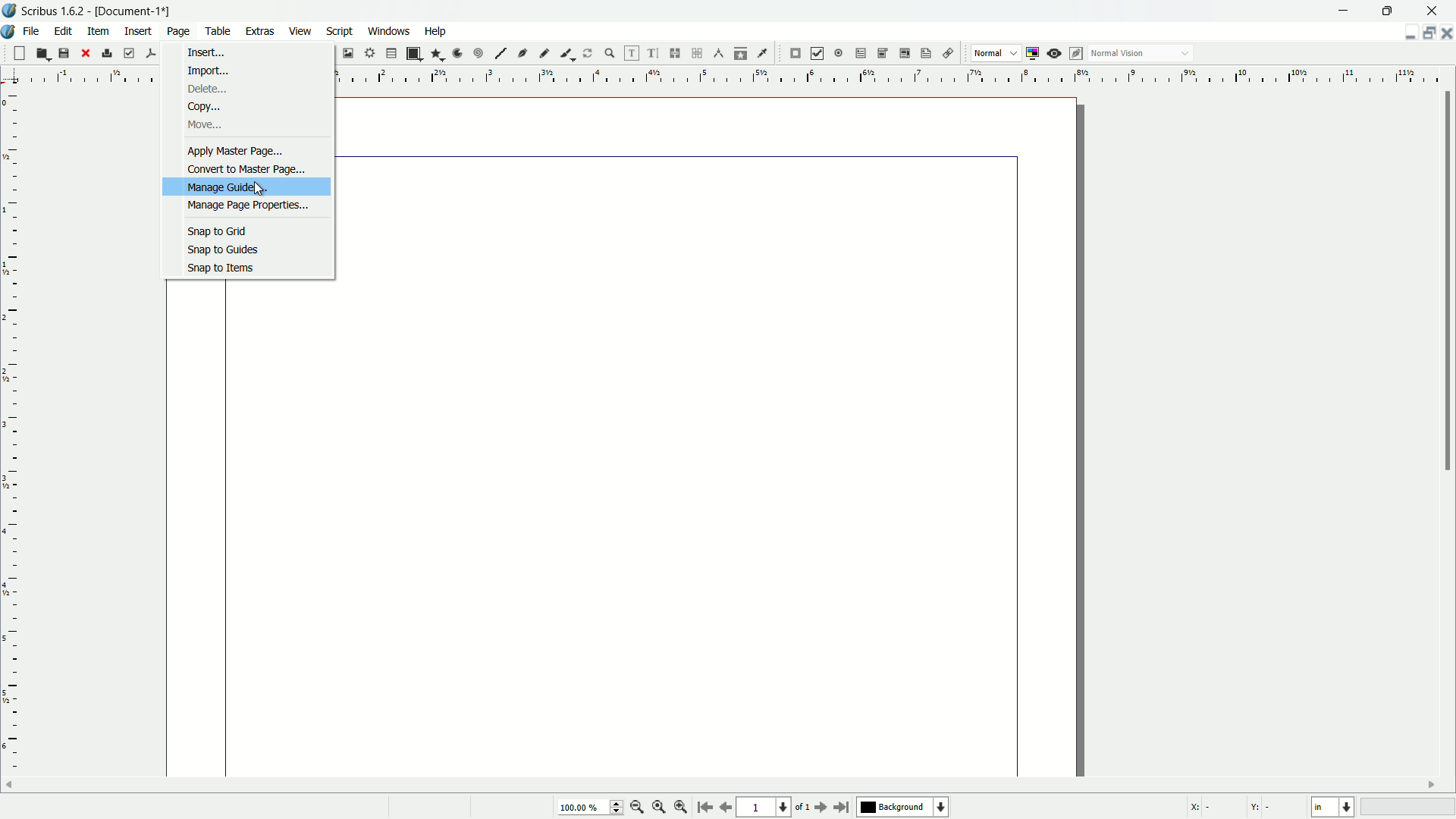 This screenshot has height=819, width=1456. Describe the element at coordinates (902, 55) in the screenshot. I see `pdf list box` at that location.